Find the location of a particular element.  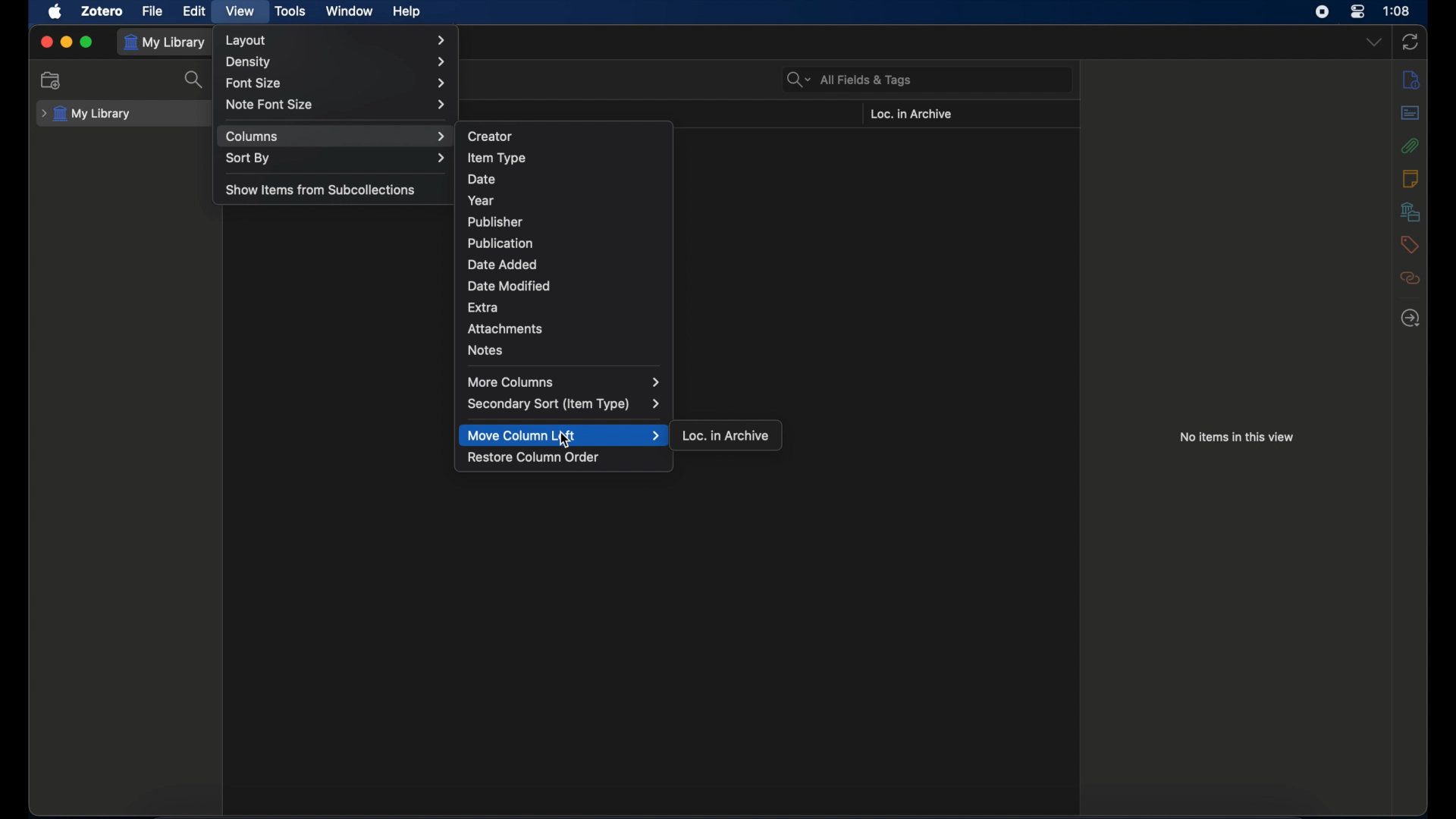

date added is located at coordinates (502, 265).